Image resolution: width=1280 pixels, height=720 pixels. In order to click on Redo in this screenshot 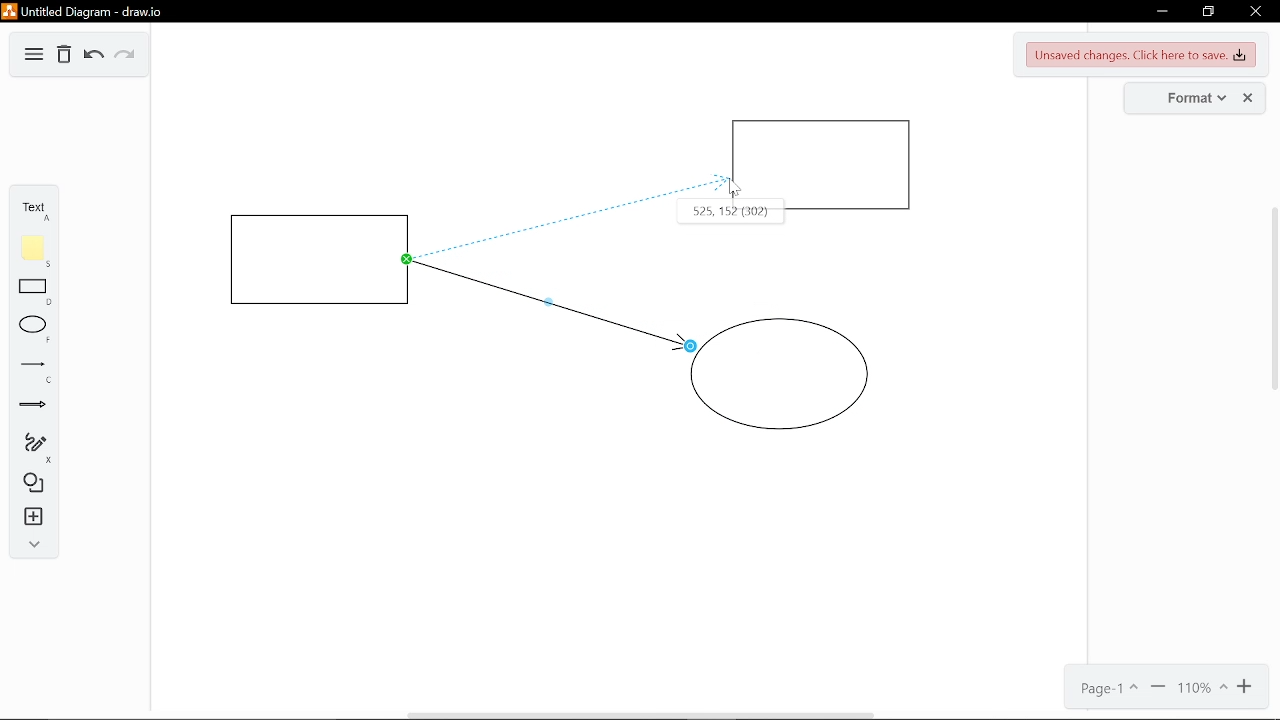, I will do `click(123, 55)`.